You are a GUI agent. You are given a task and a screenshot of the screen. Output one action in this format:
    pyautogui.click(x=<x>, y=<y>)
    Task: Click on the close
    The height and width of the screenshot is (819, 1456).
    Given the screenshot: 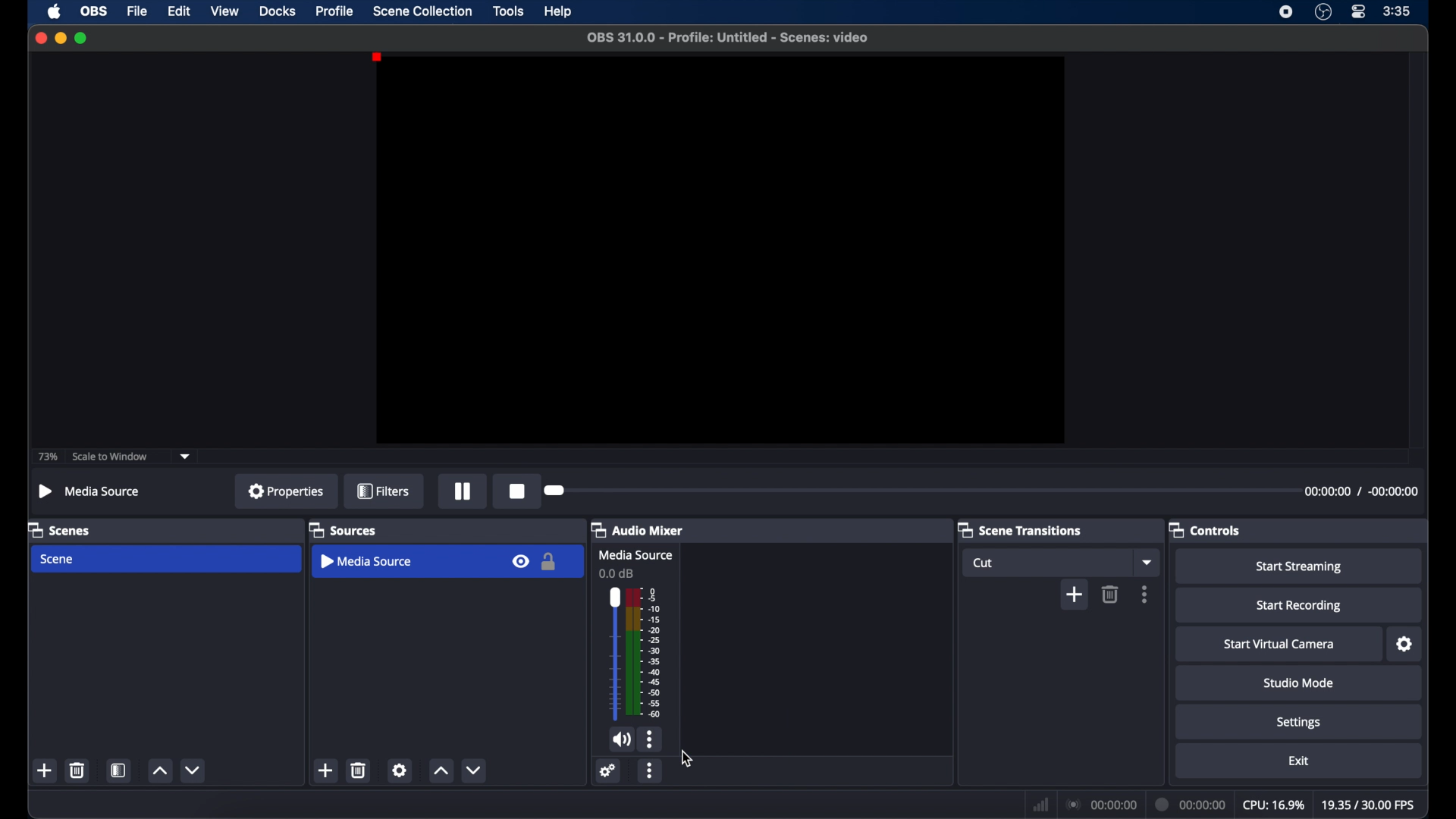 What is the action you would take?
    pyautogui.click(x=40, y=38)
    